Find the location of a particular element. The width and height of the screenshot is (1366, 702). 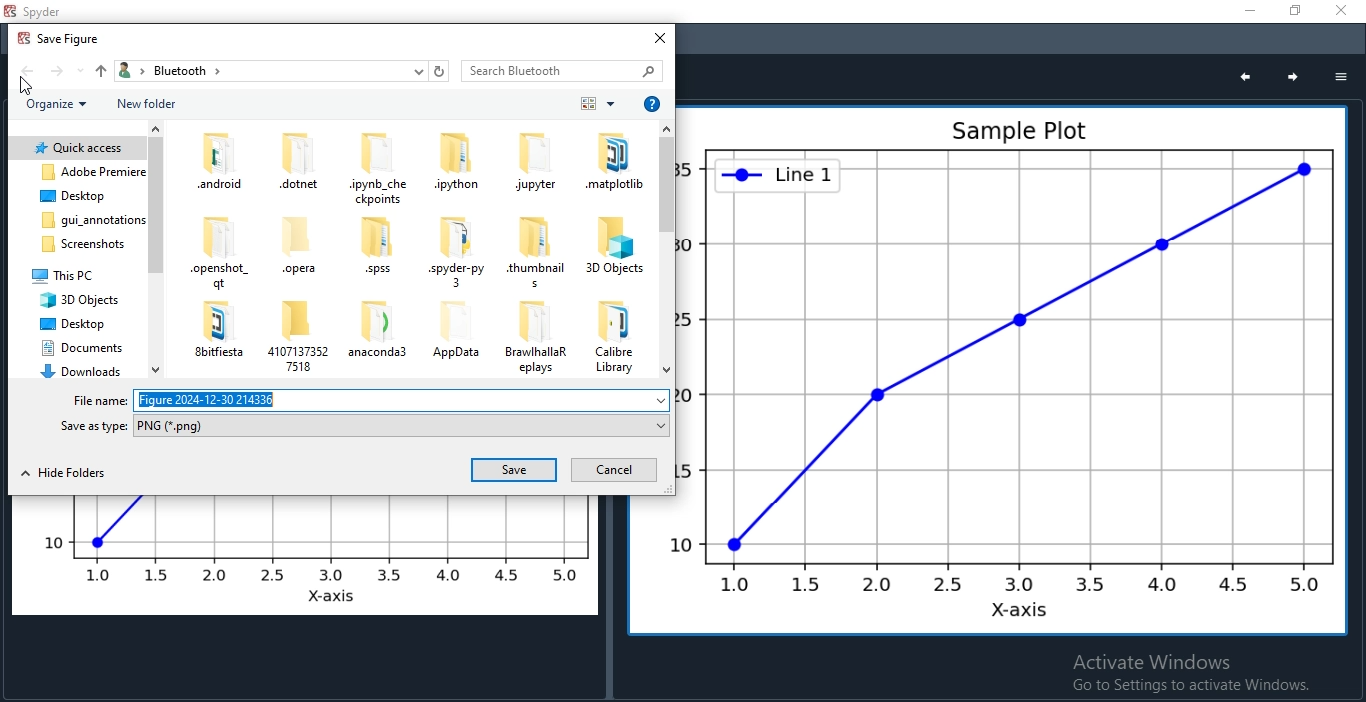

files is located at coordinates (538, 165).